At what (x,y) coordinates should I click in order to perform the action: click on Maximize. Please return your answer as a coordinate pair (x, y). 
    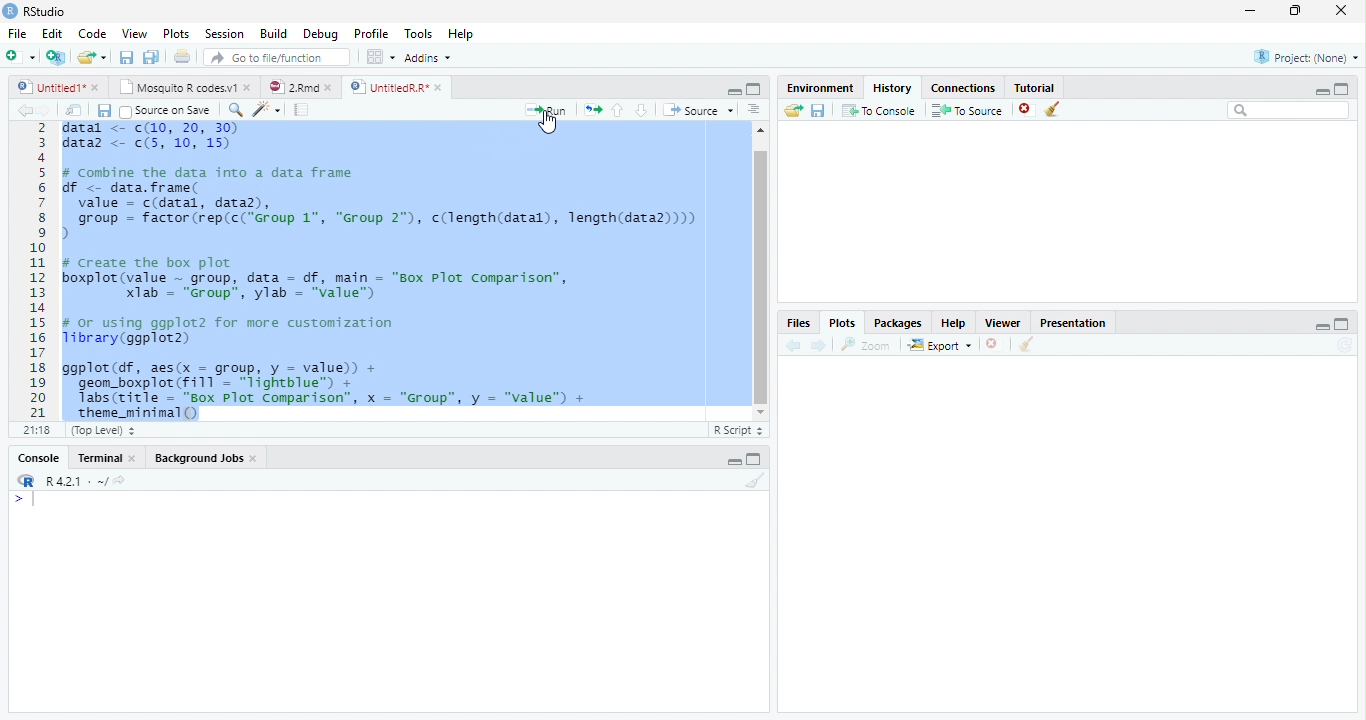
    Looking at the image, I should click on (1342, 324).